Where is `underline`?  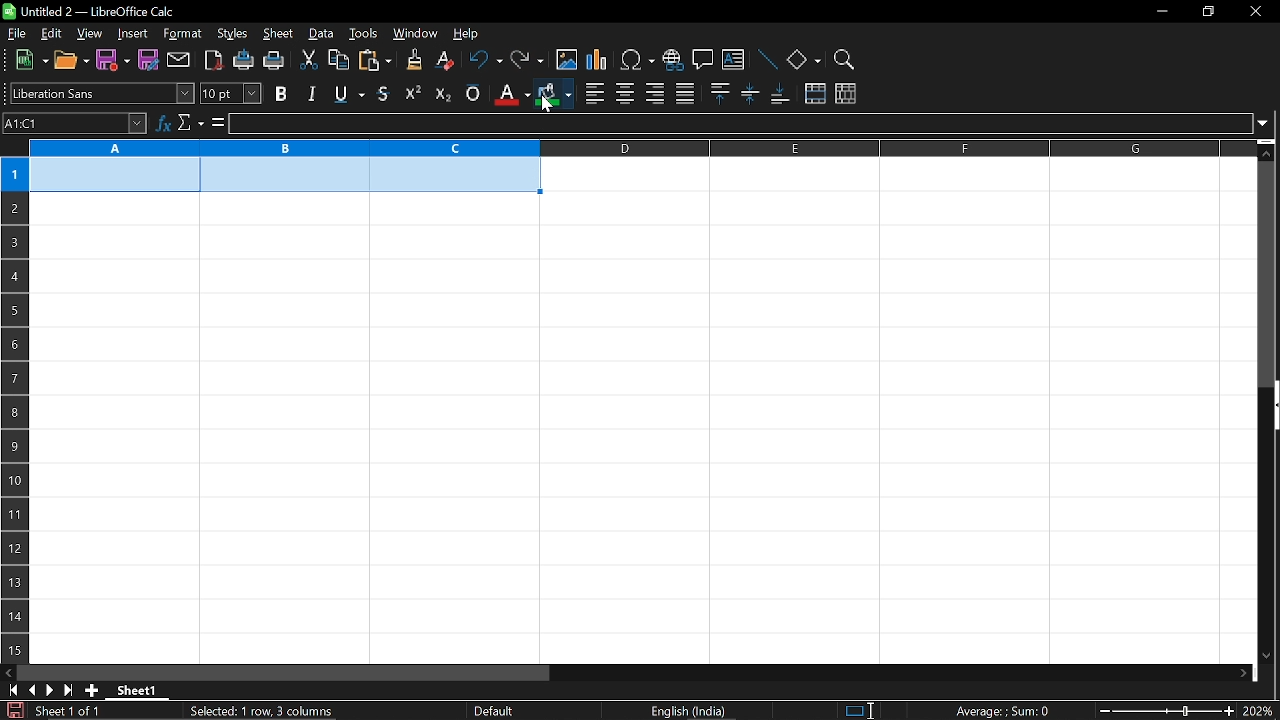 underline is located at coordinates (346, 94).